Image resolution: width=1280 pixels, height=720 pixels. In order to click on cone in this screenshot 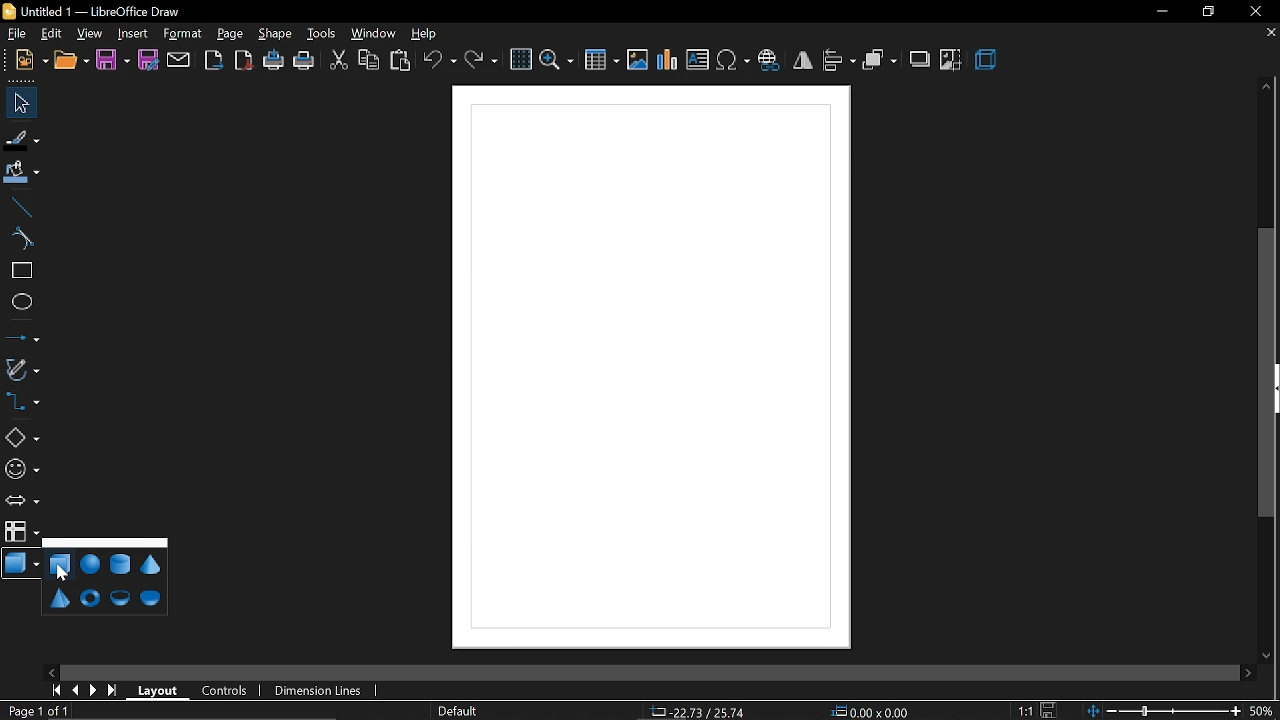, I will do `click(152, 565)`.